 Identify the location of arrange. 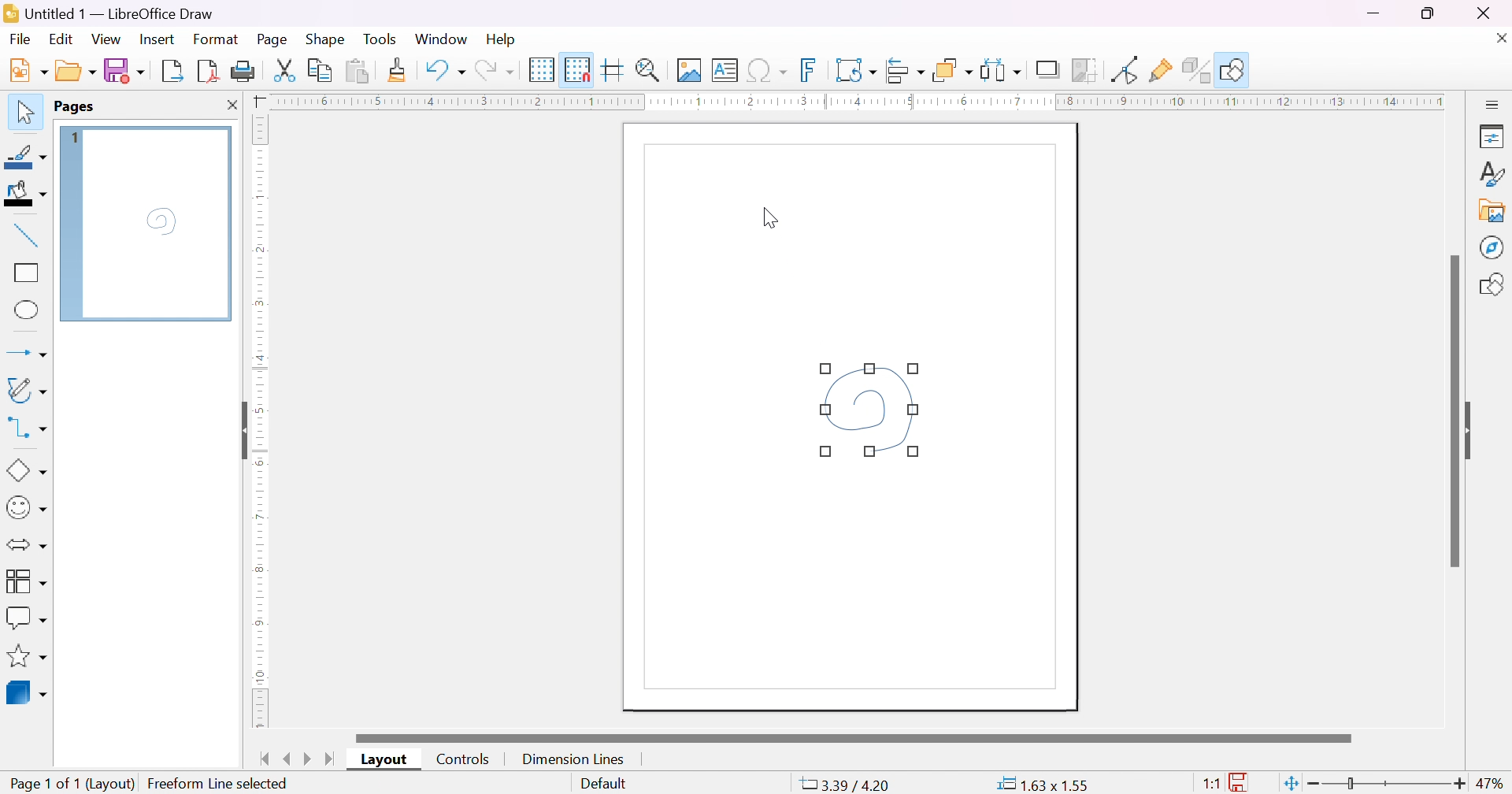
(953, 70).